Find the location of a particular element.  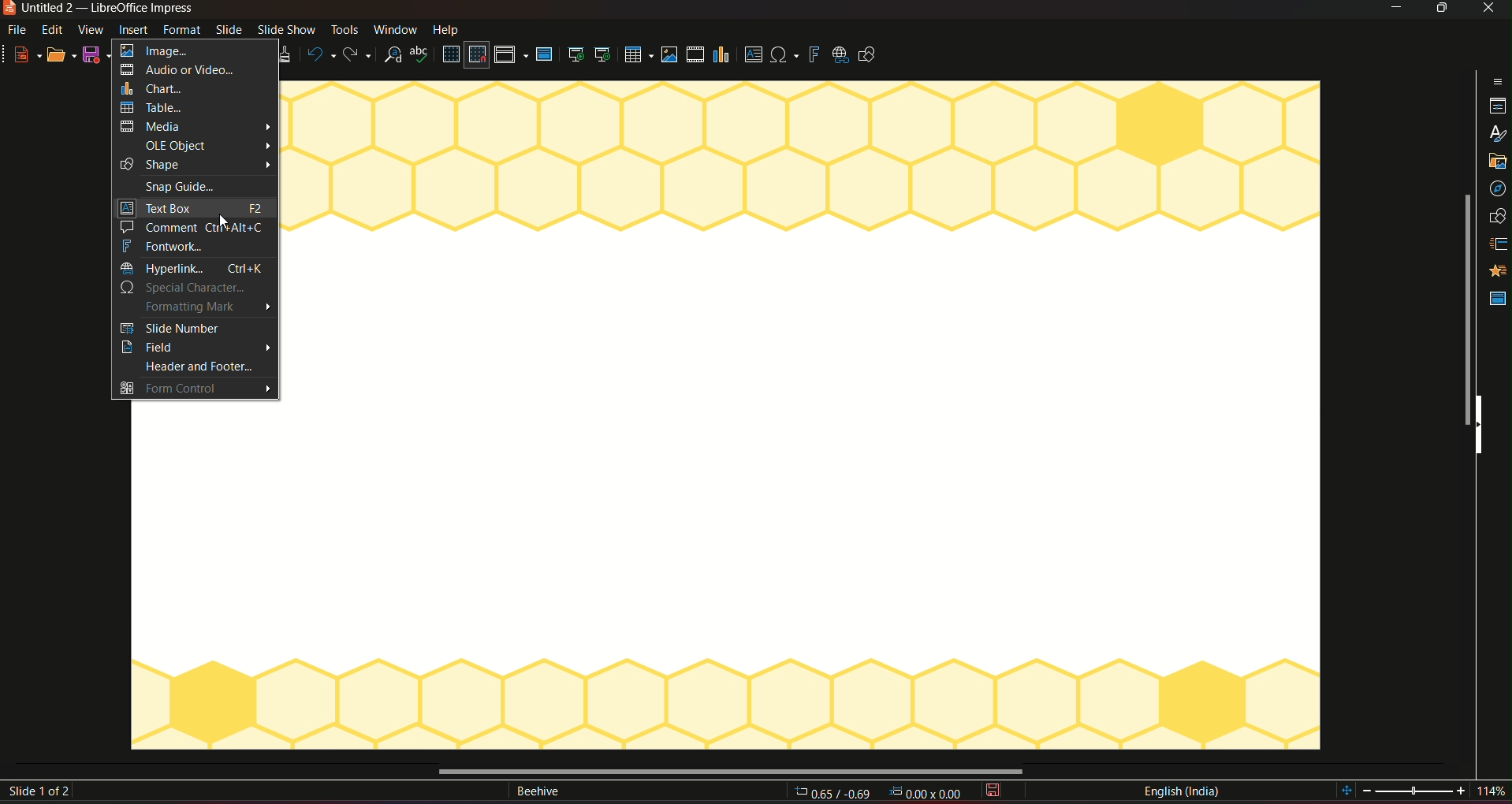

open is located at coordinates (61, 52).